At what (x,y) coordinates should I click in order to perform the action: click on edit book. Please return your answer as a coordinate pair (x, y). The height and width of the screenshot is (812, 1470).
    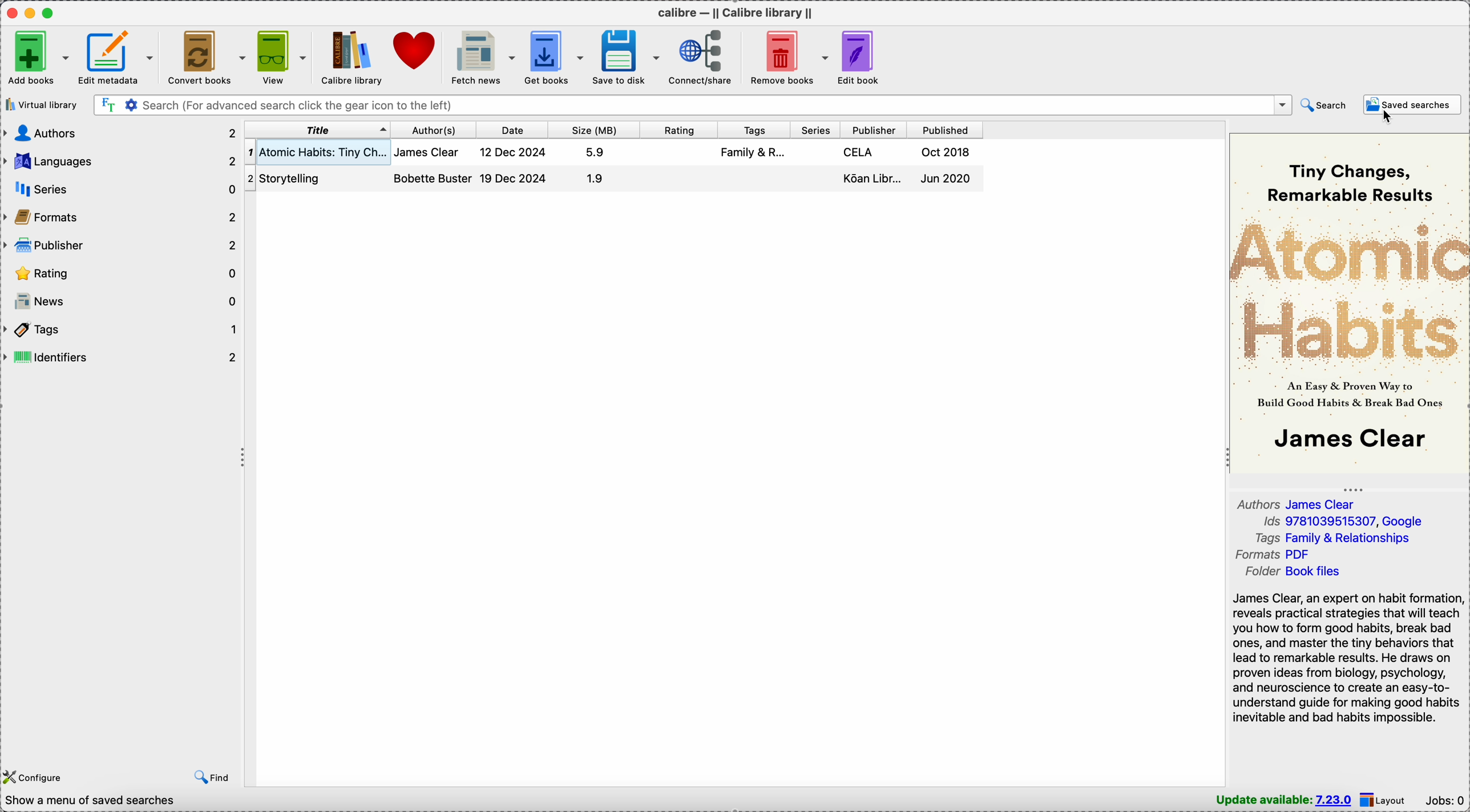
    Looking at the image, I should click on (863, 58).